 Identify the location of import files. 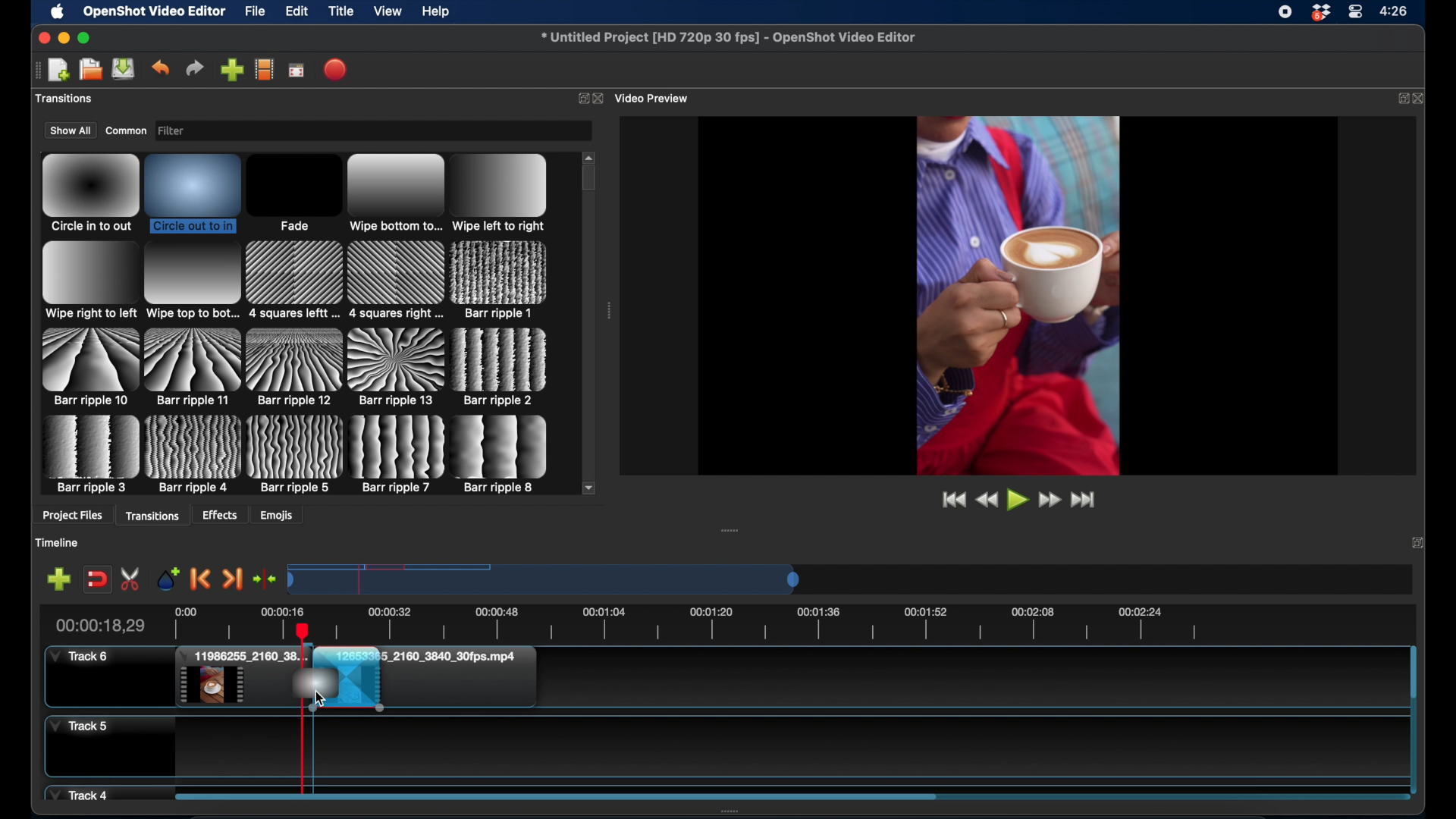
(231, 70).